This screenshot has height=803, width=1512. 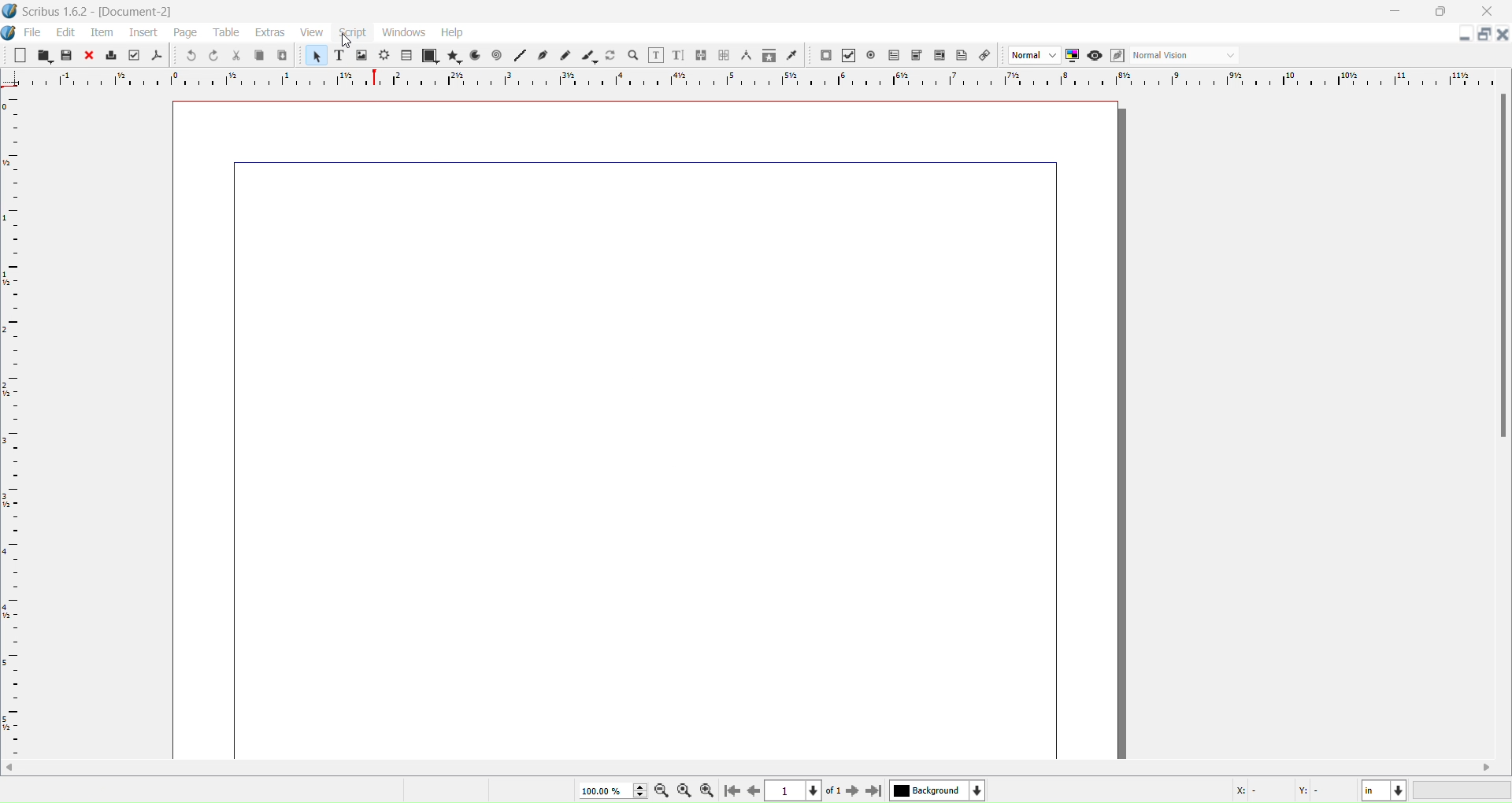 What do you see at coordinates (1503, 35) in the screenshot?
I see `Close Document` at bounding box center [1503, 35].